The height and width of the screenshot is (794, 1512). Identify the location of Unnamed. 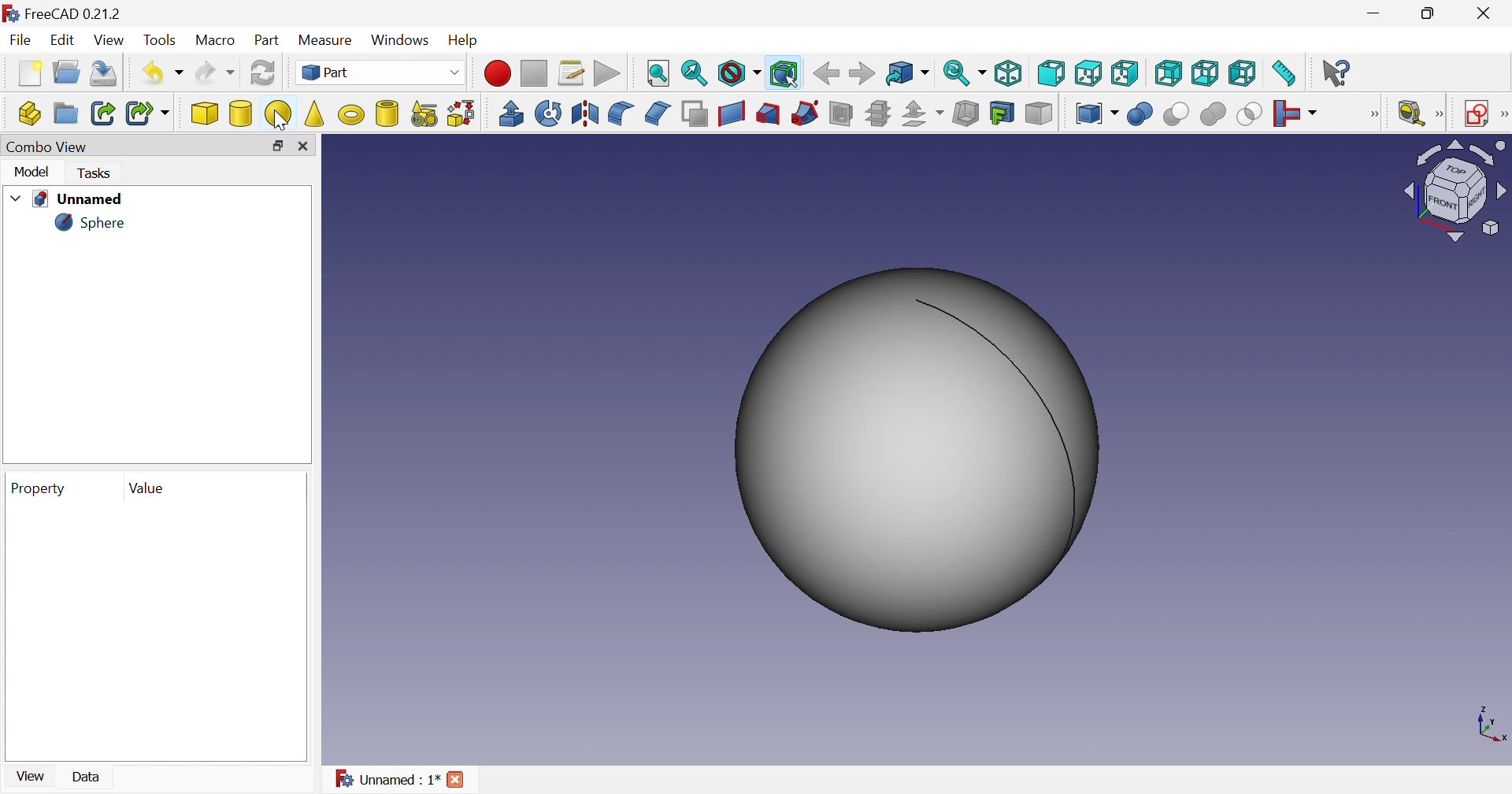
(66, 198).